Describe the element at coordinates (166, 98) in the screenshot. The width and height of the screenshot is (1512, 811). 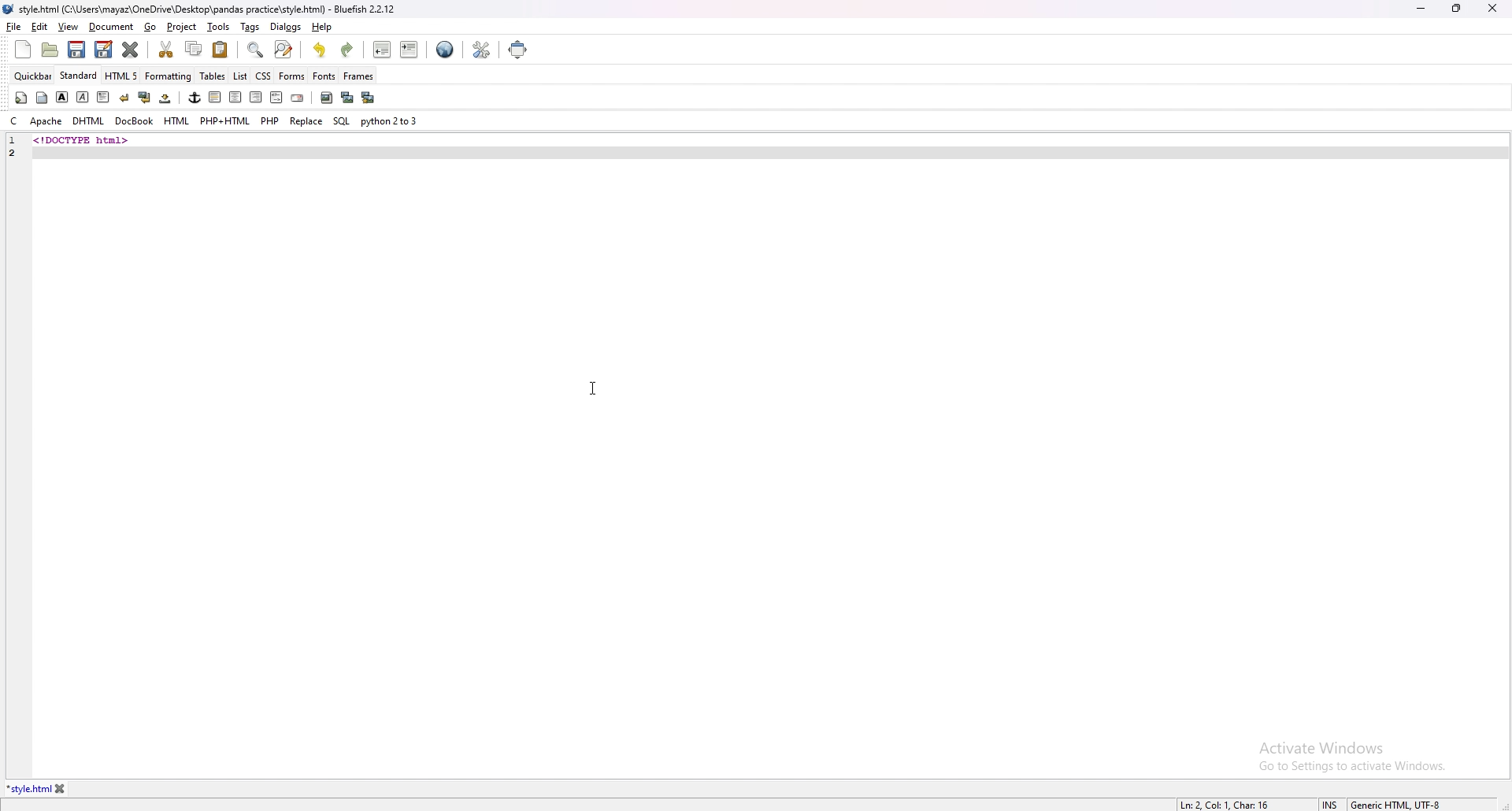
I see `non breaking space` at that location.